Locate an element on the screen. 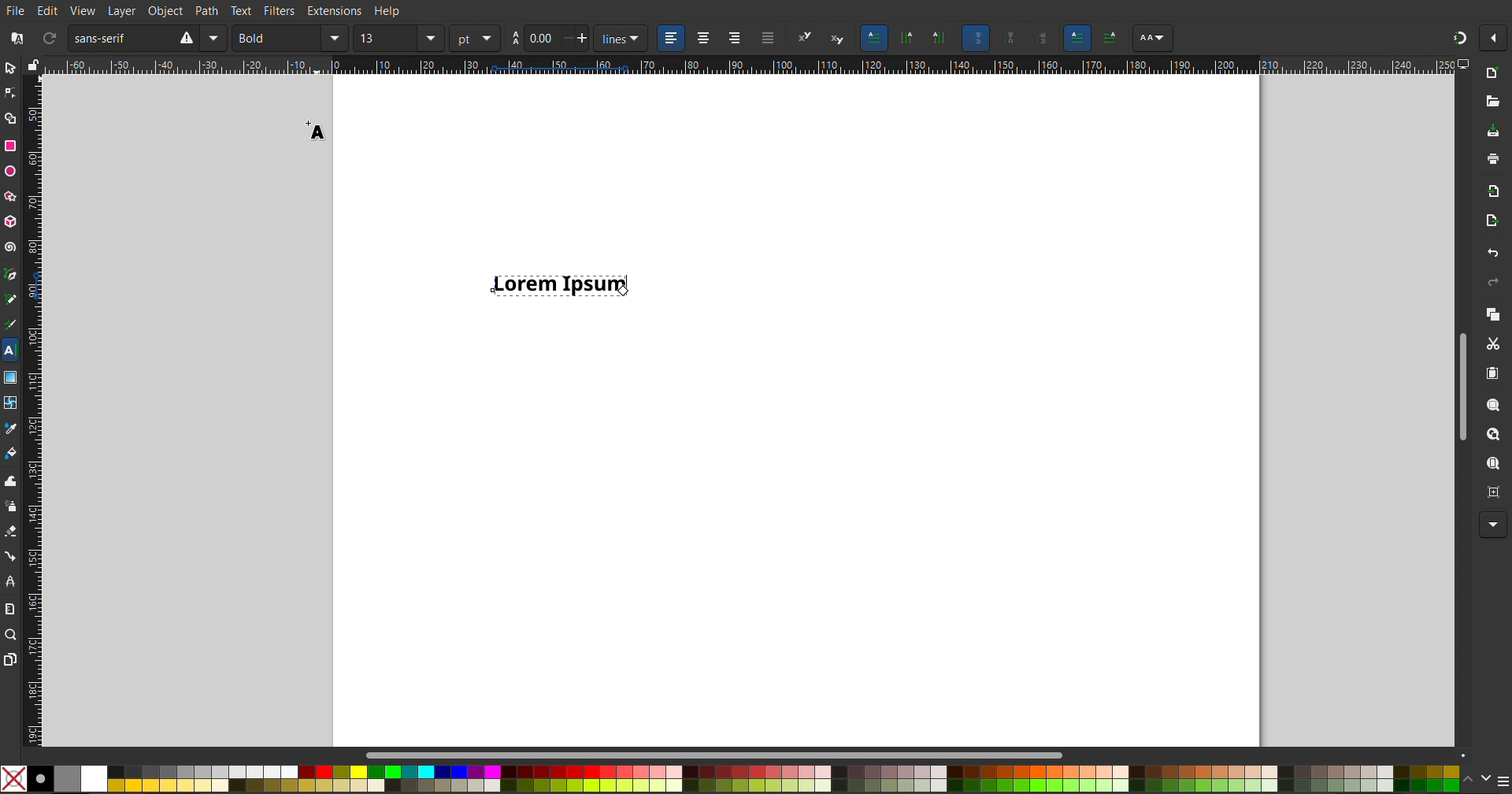  Cursor is located at coordinates (313, 127).